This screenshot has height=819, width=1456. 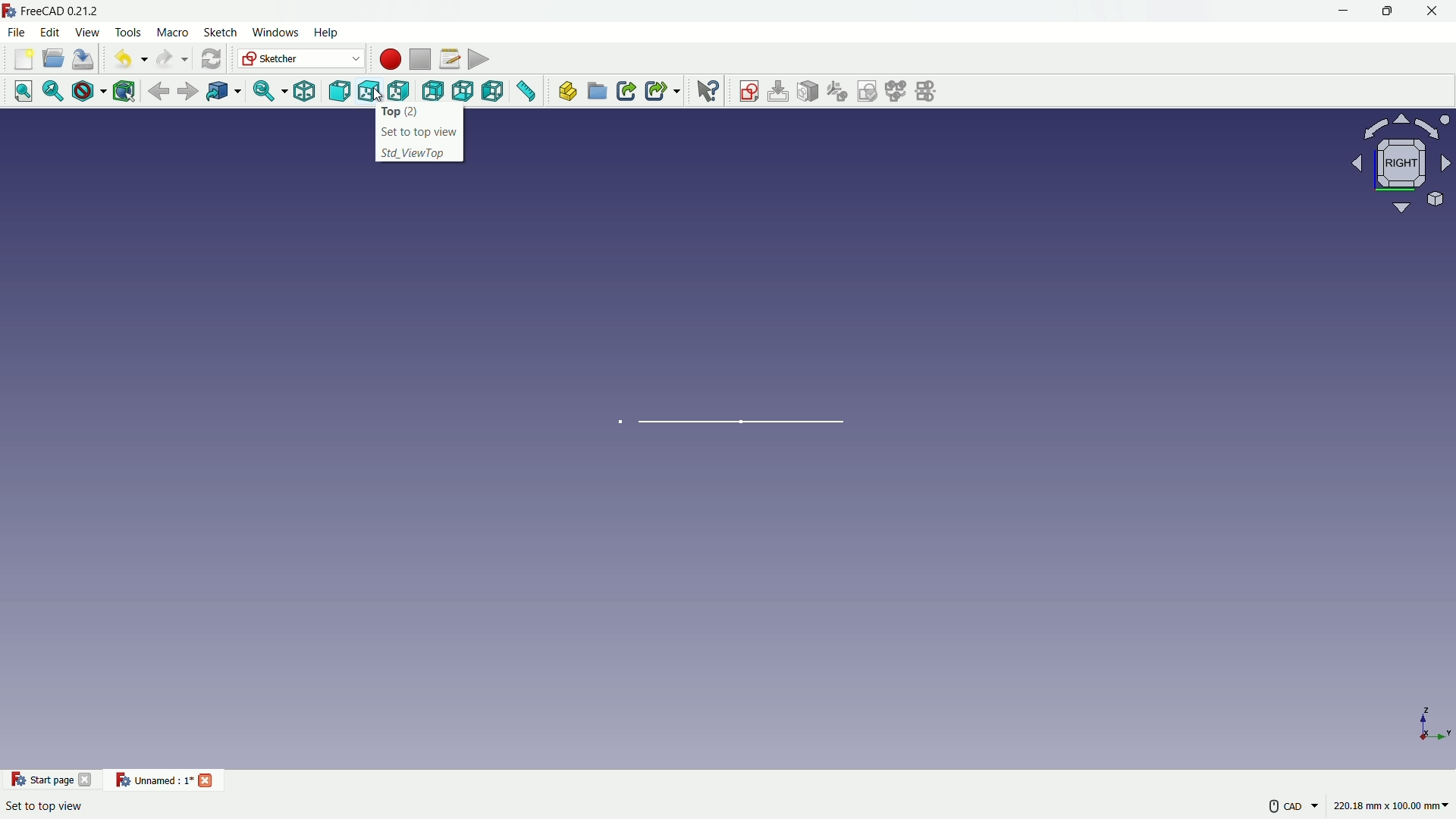 I want to click on Std_viewtop, so click(x=416, y=155).